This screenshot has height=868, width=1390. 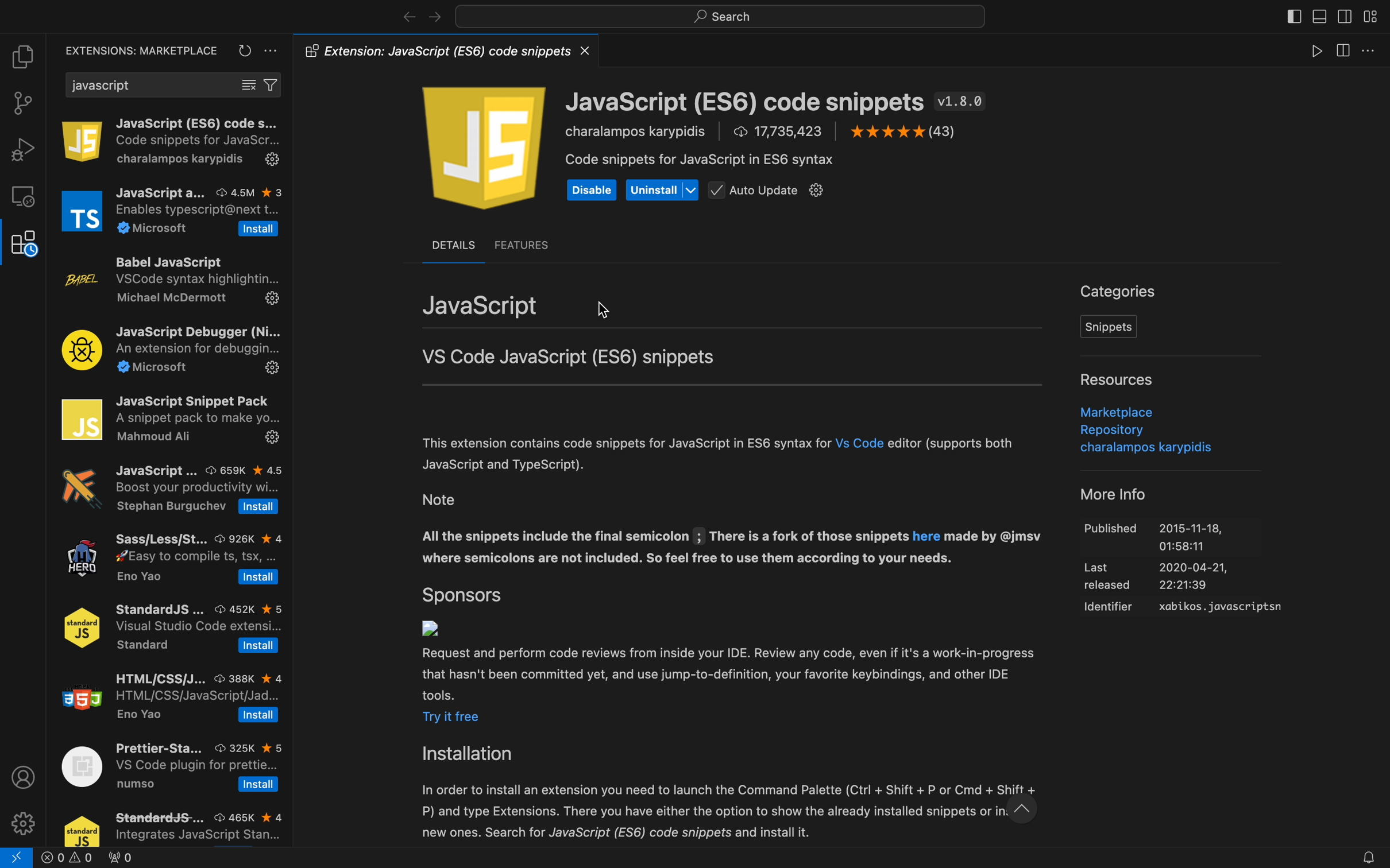 I want to click on settings, so click(x=25, y=821).